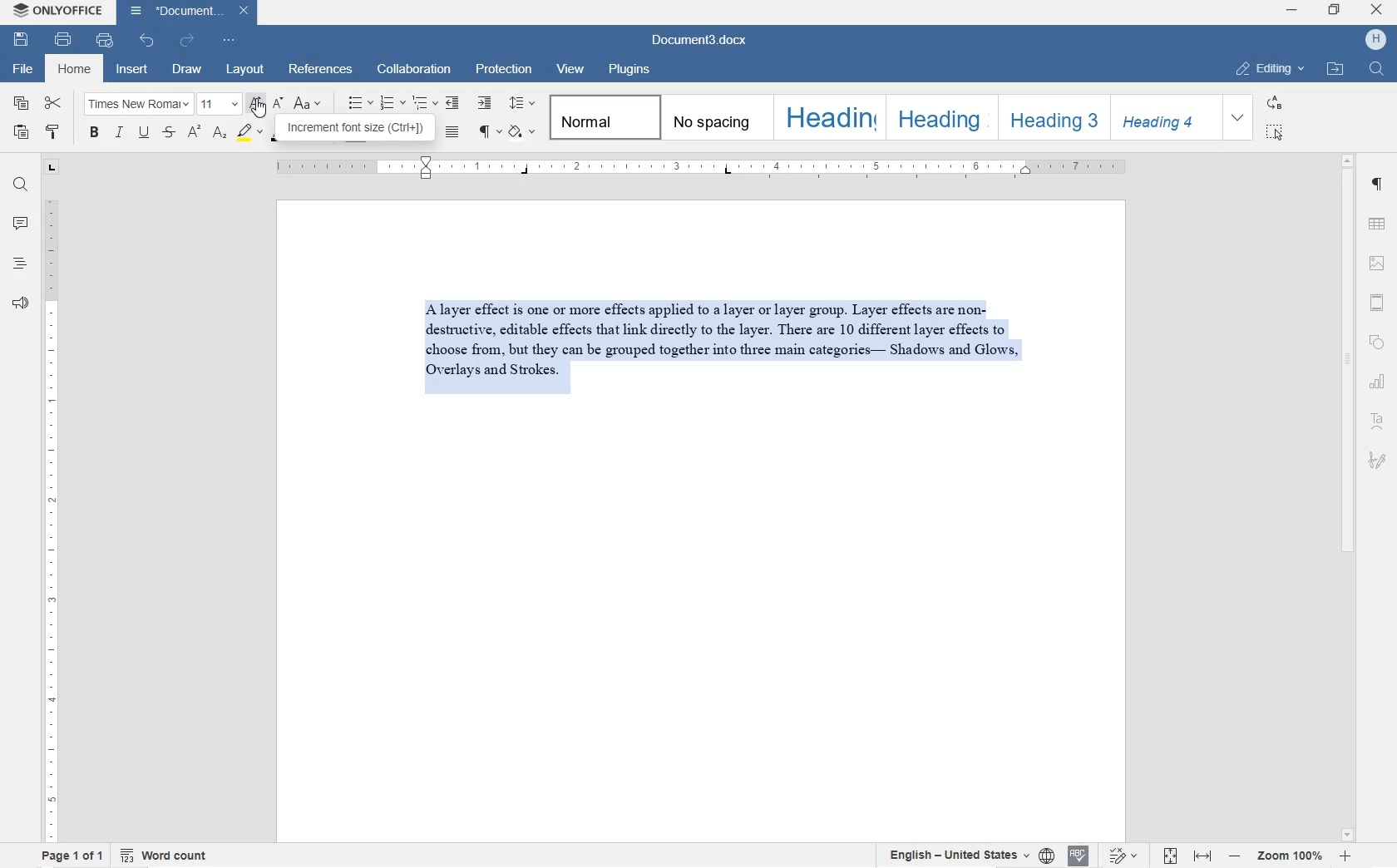 The width and height of the screenshot is (1397, 868). What do you see at coordinates (522, 133) in the screenshot?
I see `SHADING` at bounding box center [522, 133].